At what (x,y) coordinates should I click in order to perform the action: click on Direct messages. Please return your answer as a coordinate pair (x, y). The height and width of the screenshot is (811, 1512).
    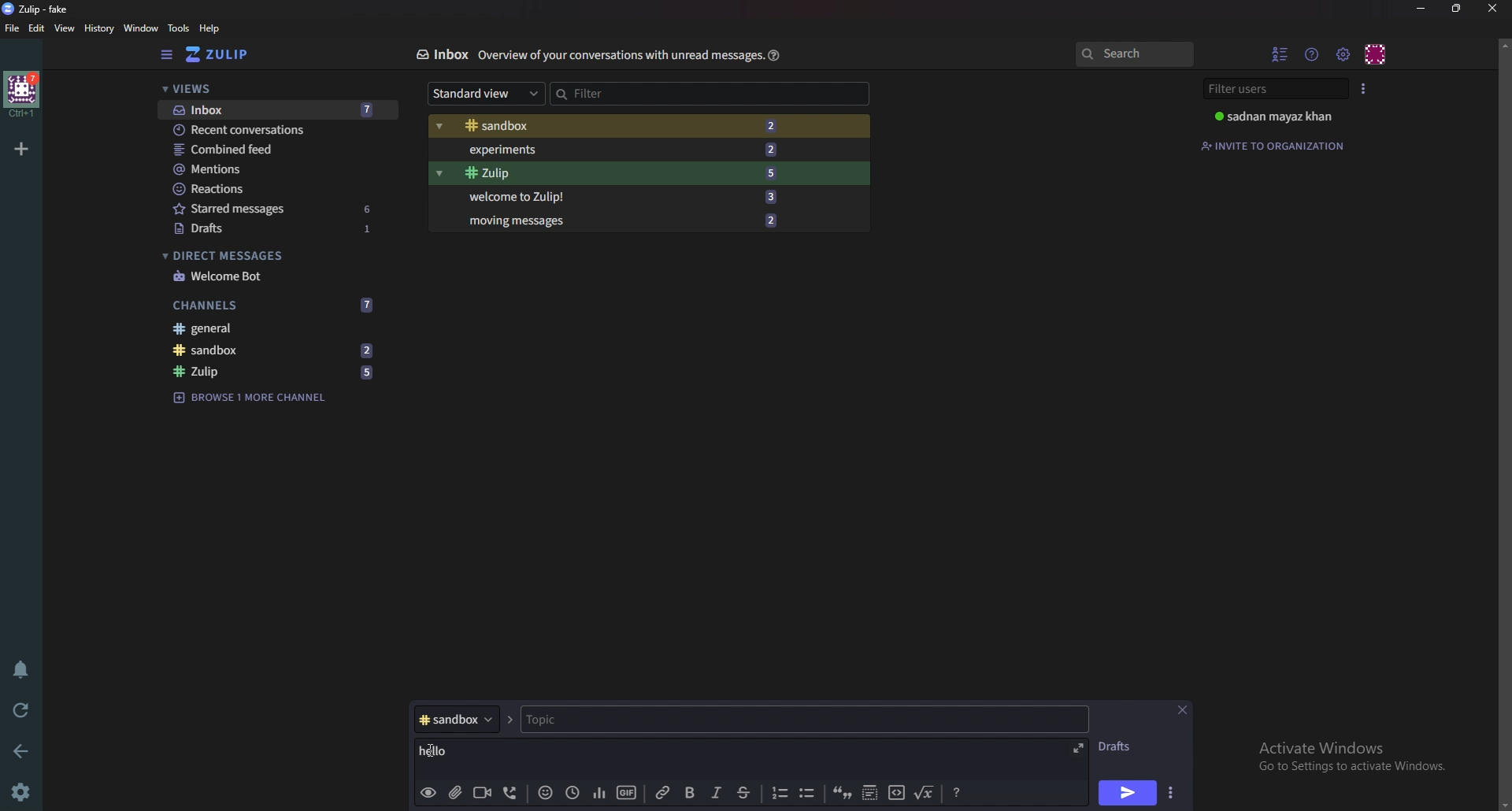
    Looking at the image, I should click on (268, 256).